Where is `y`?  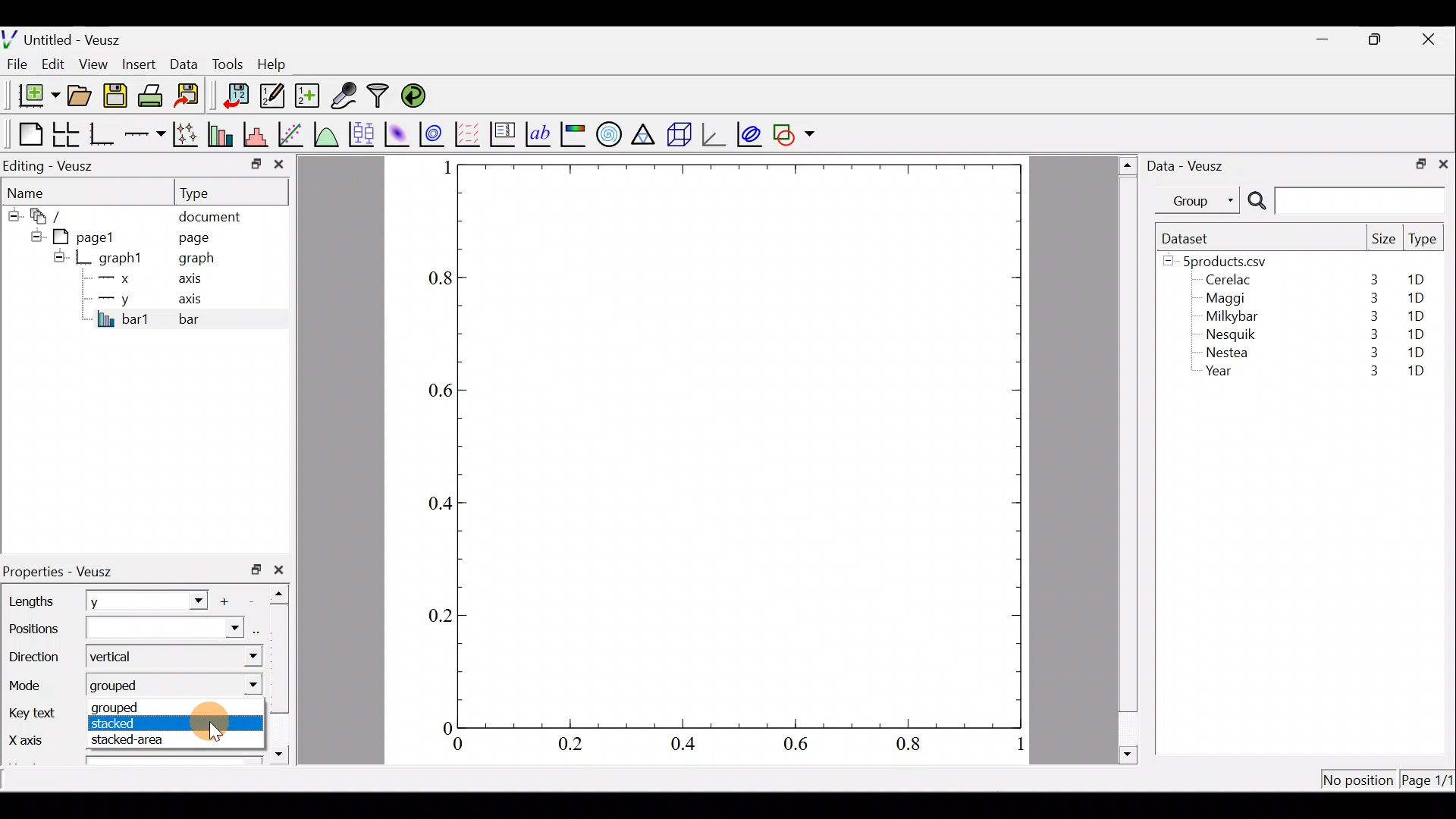
y is located at coordinates (114, 297).